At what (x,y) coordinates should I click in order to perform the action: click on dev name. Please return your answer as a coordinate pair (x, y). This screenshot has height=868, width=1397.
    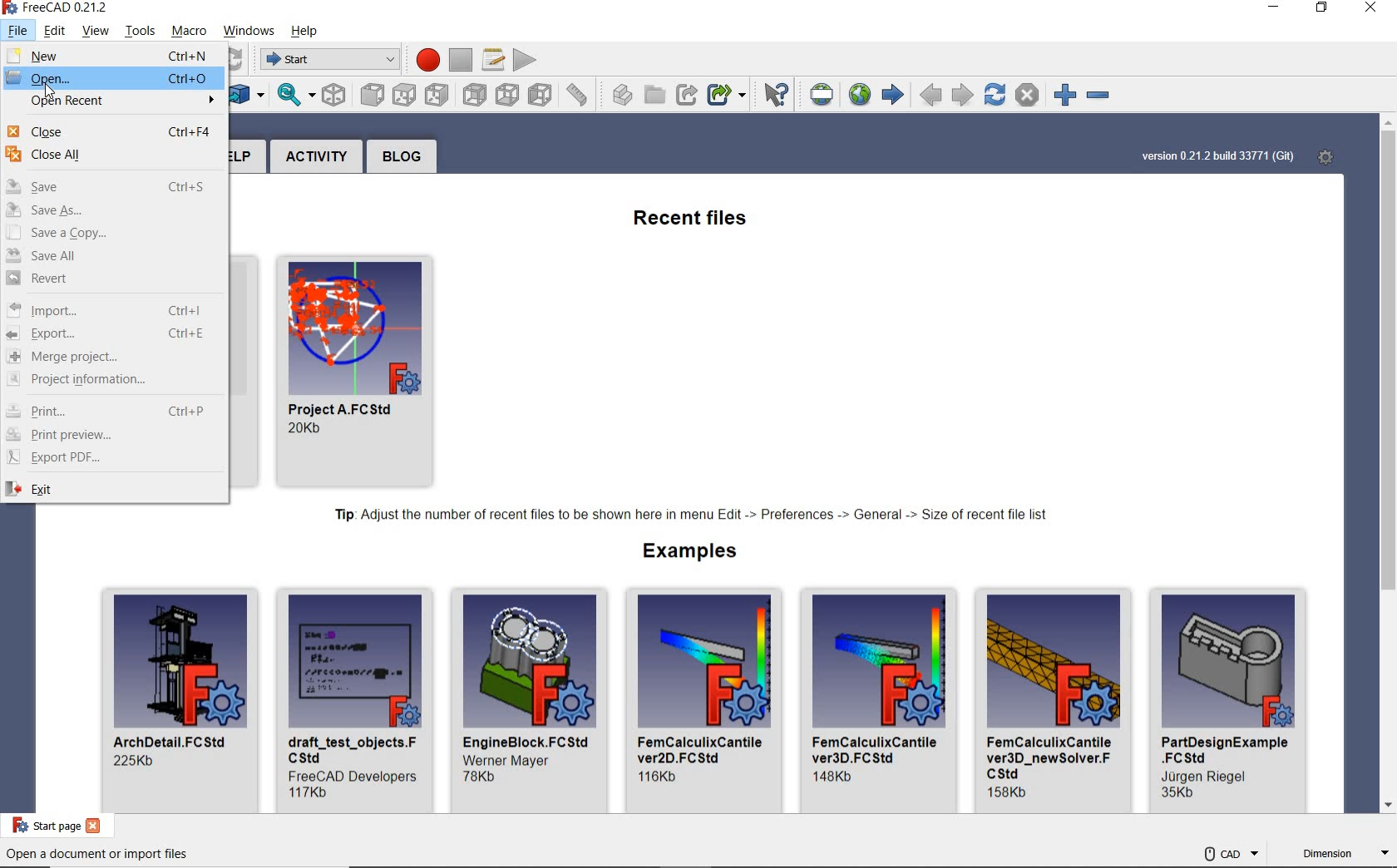
    Looking at the image, I should click on (1210, 777).